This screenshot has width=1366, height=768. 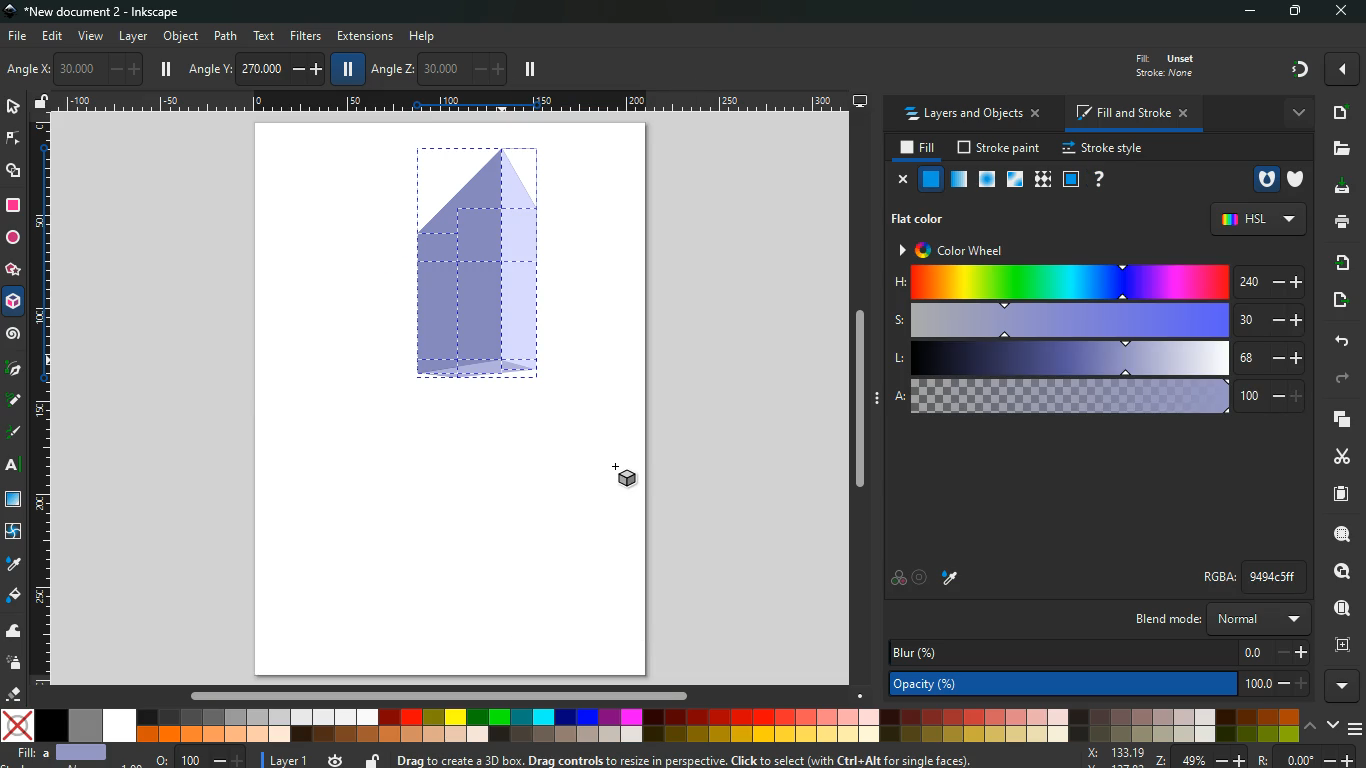 What do you see at coordinates (39, 400) in the screenshot?
I see `Ruler` at bounding box center [39, 400].